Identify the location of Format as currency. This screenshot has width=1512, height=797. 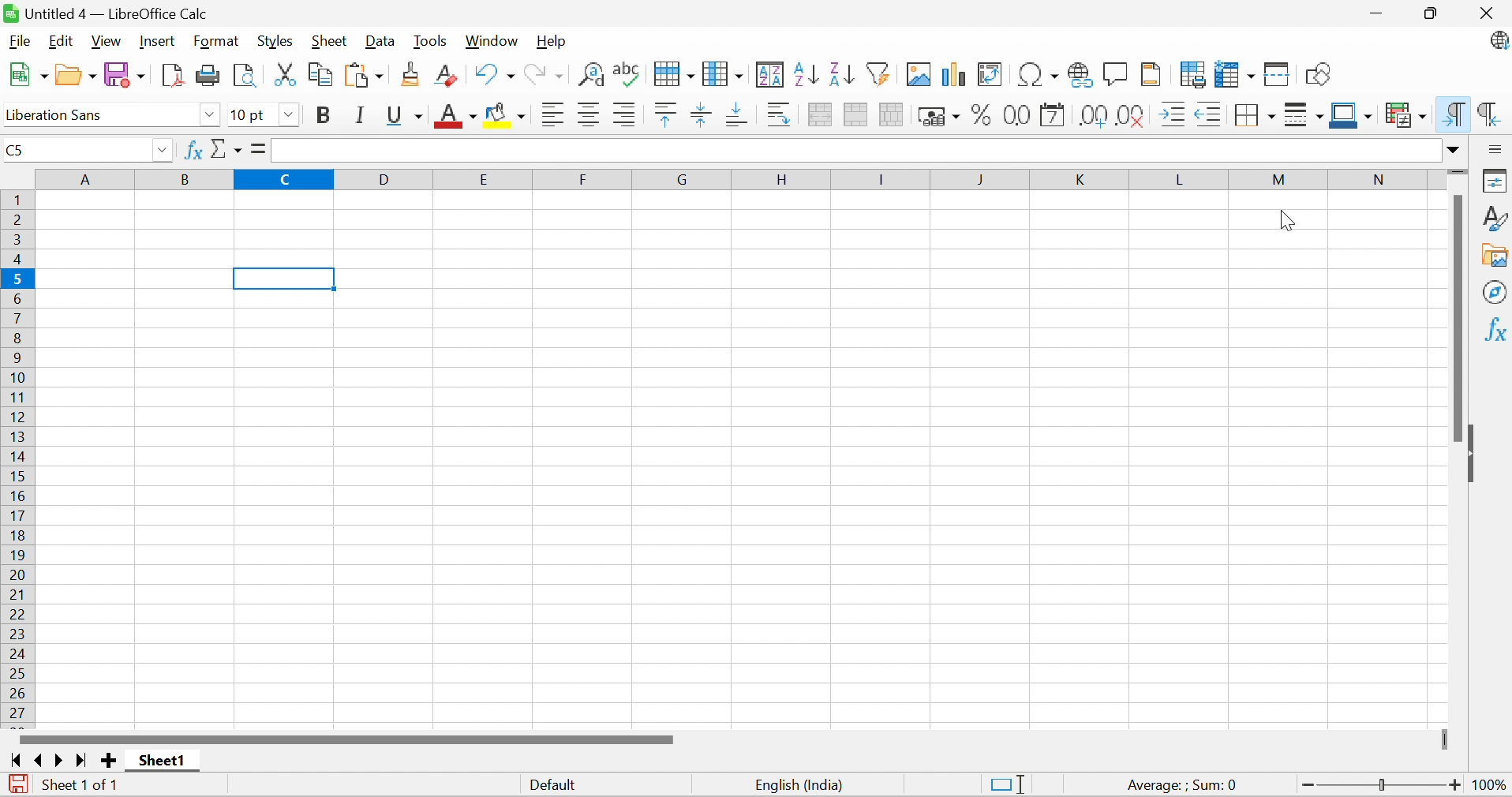
(941, 116).